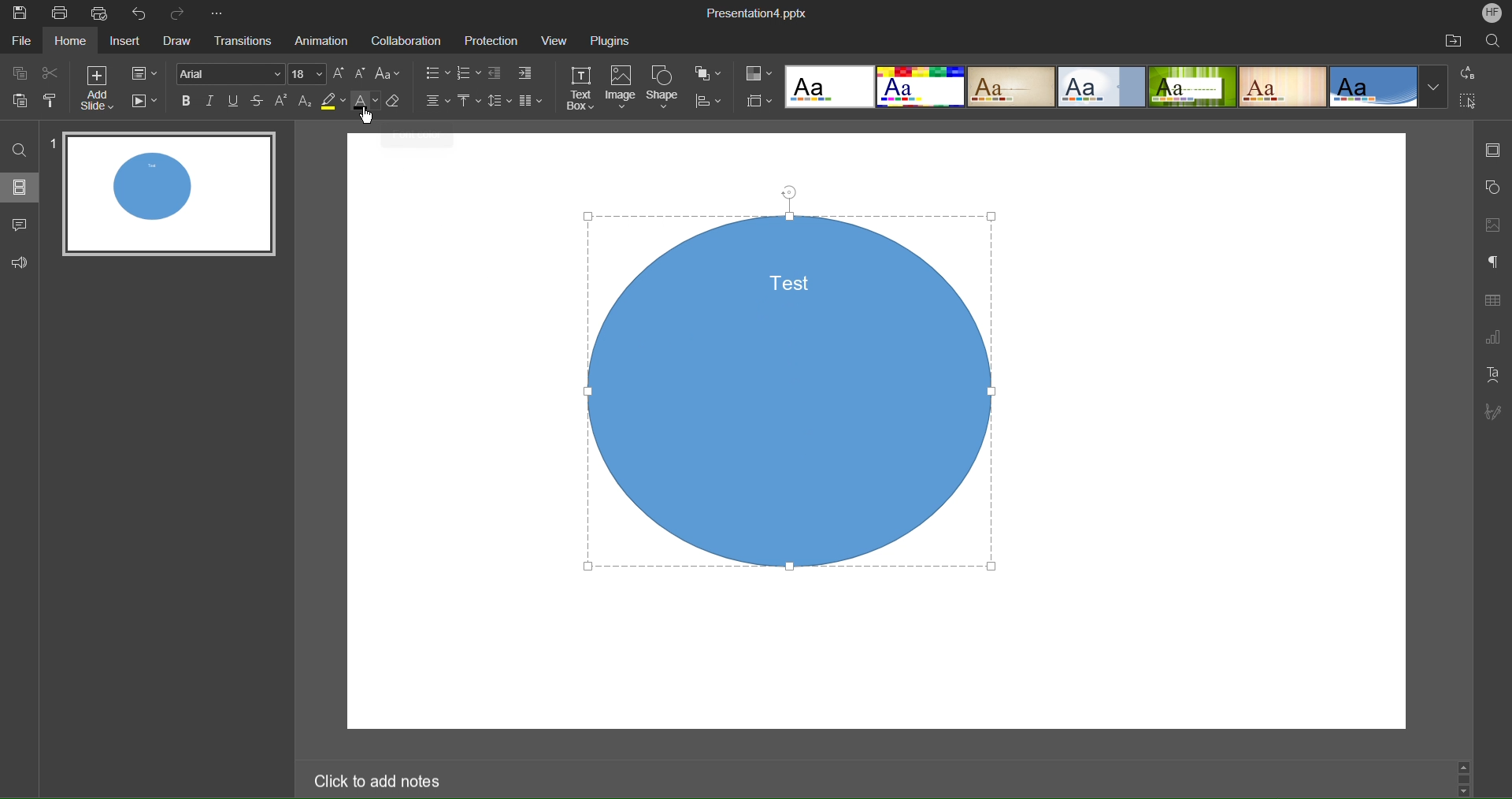  Describe the element at coordinates (213, 103) in the screenshot. I see `Italic` at that location.